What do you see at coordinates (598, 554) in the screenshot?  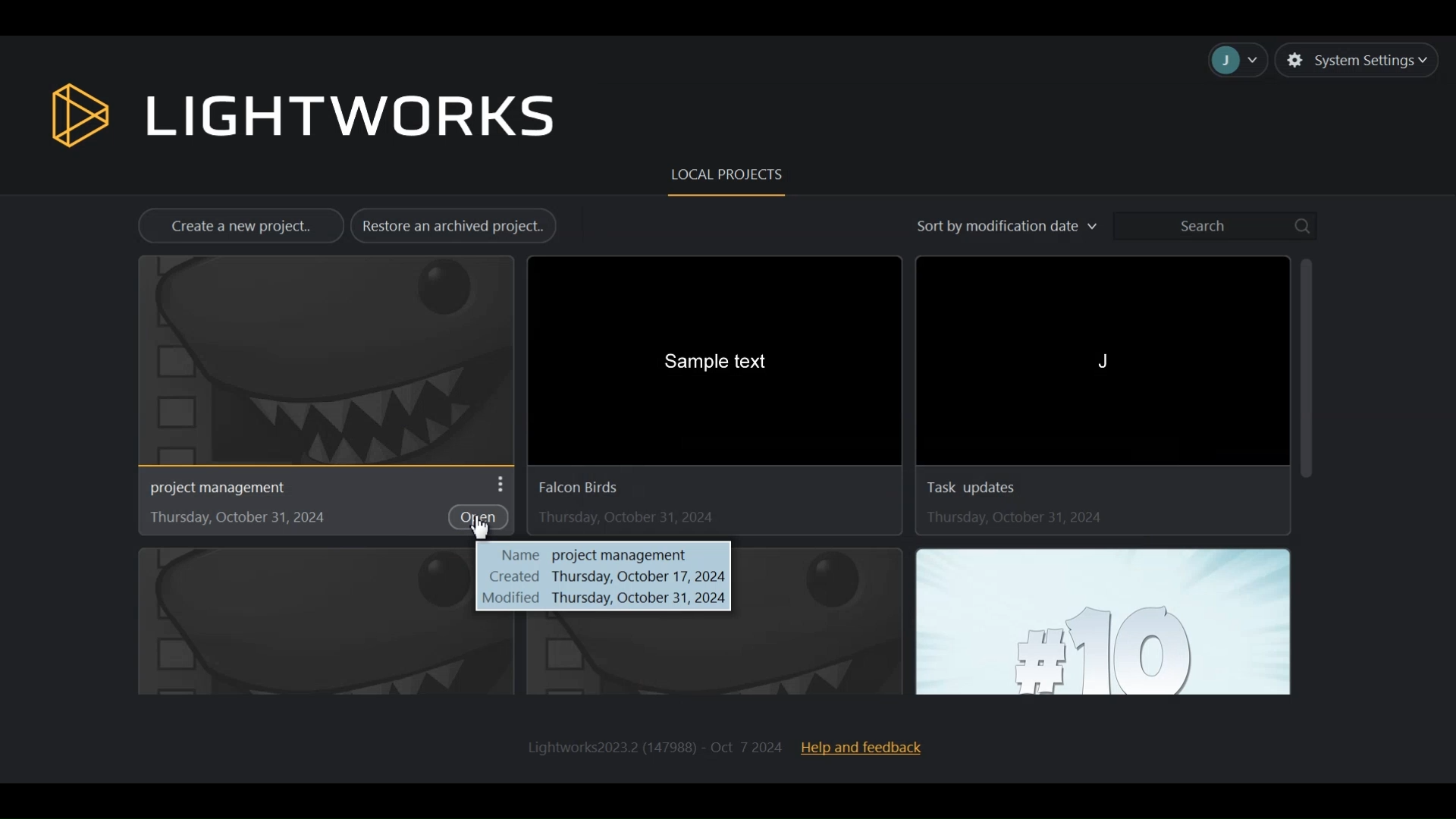 I see `name` at bounding box center [598, 554].